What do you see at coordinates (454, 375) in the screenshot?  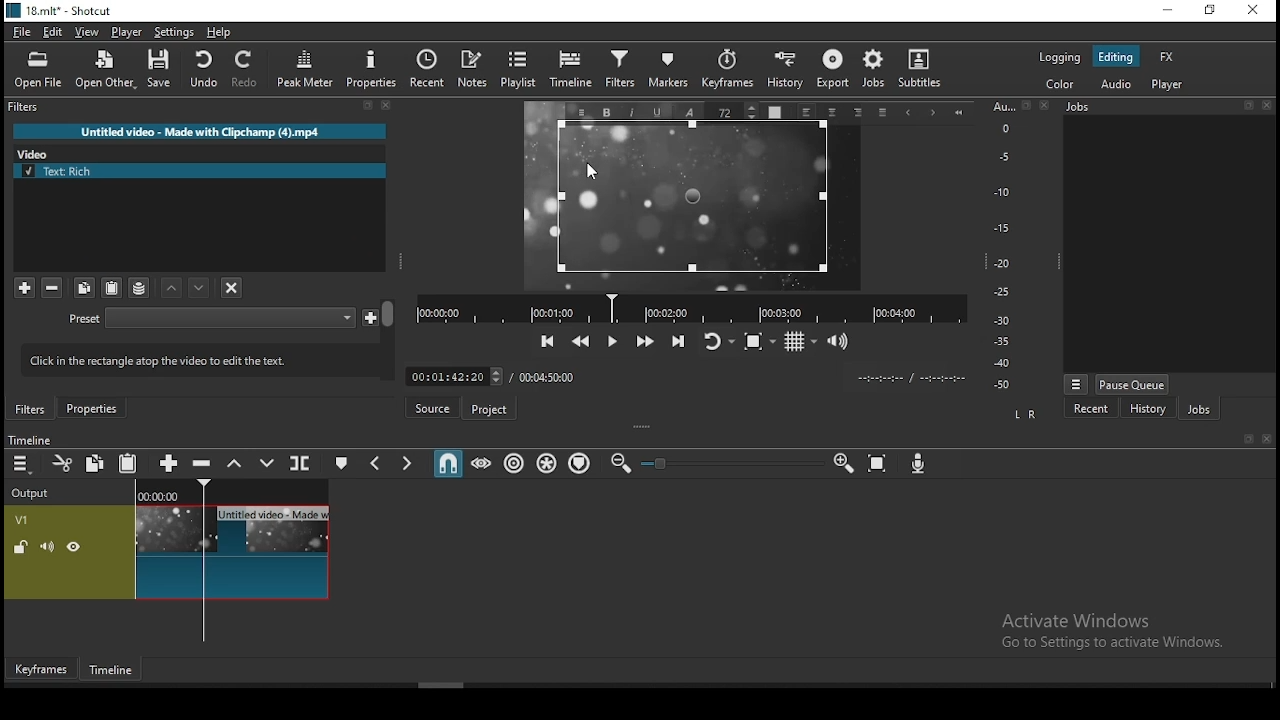 I see `Frame Time` at bounding box center [454, 375].